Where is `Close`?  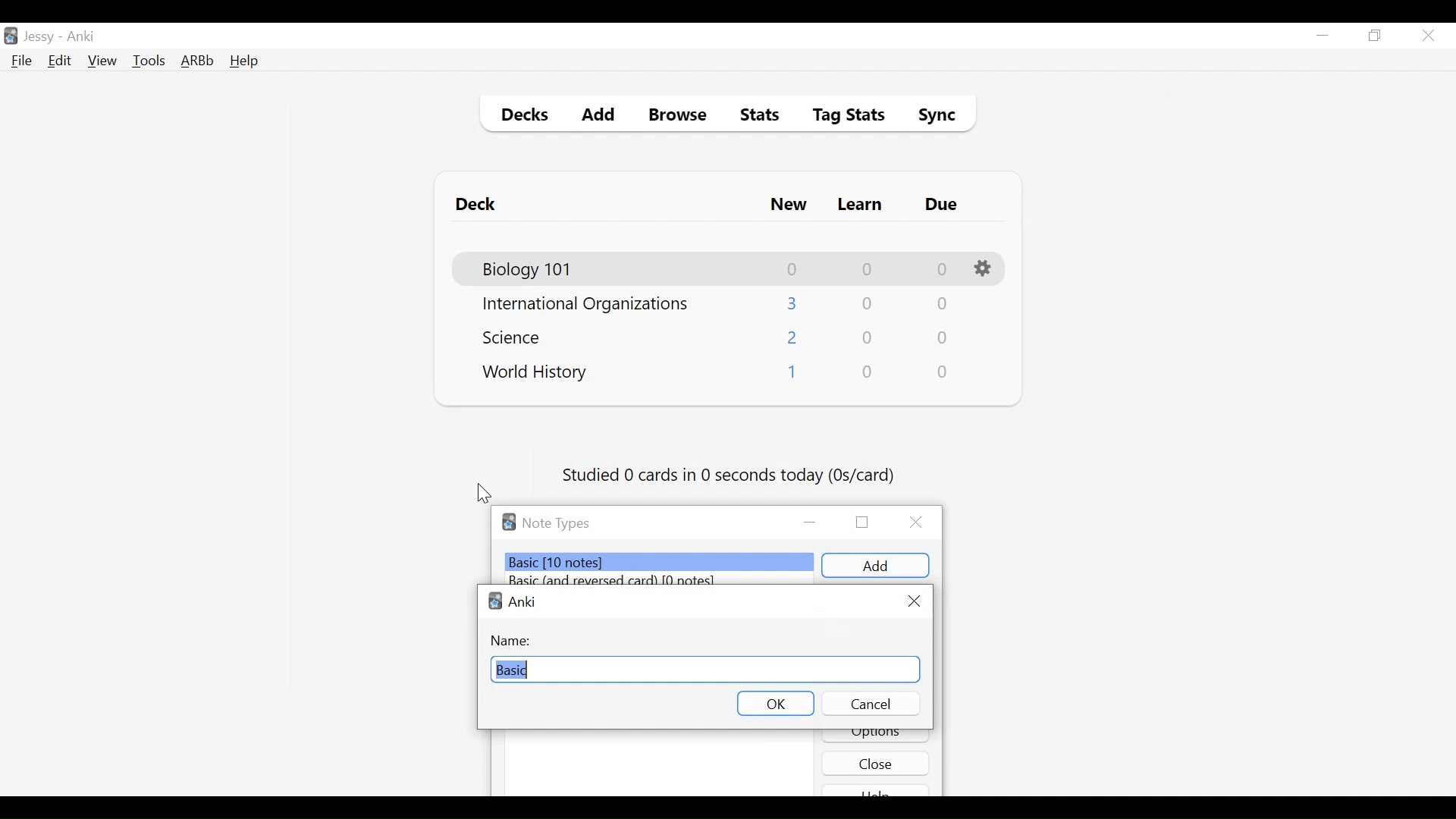 Close is located at coordinates (1428, 36).